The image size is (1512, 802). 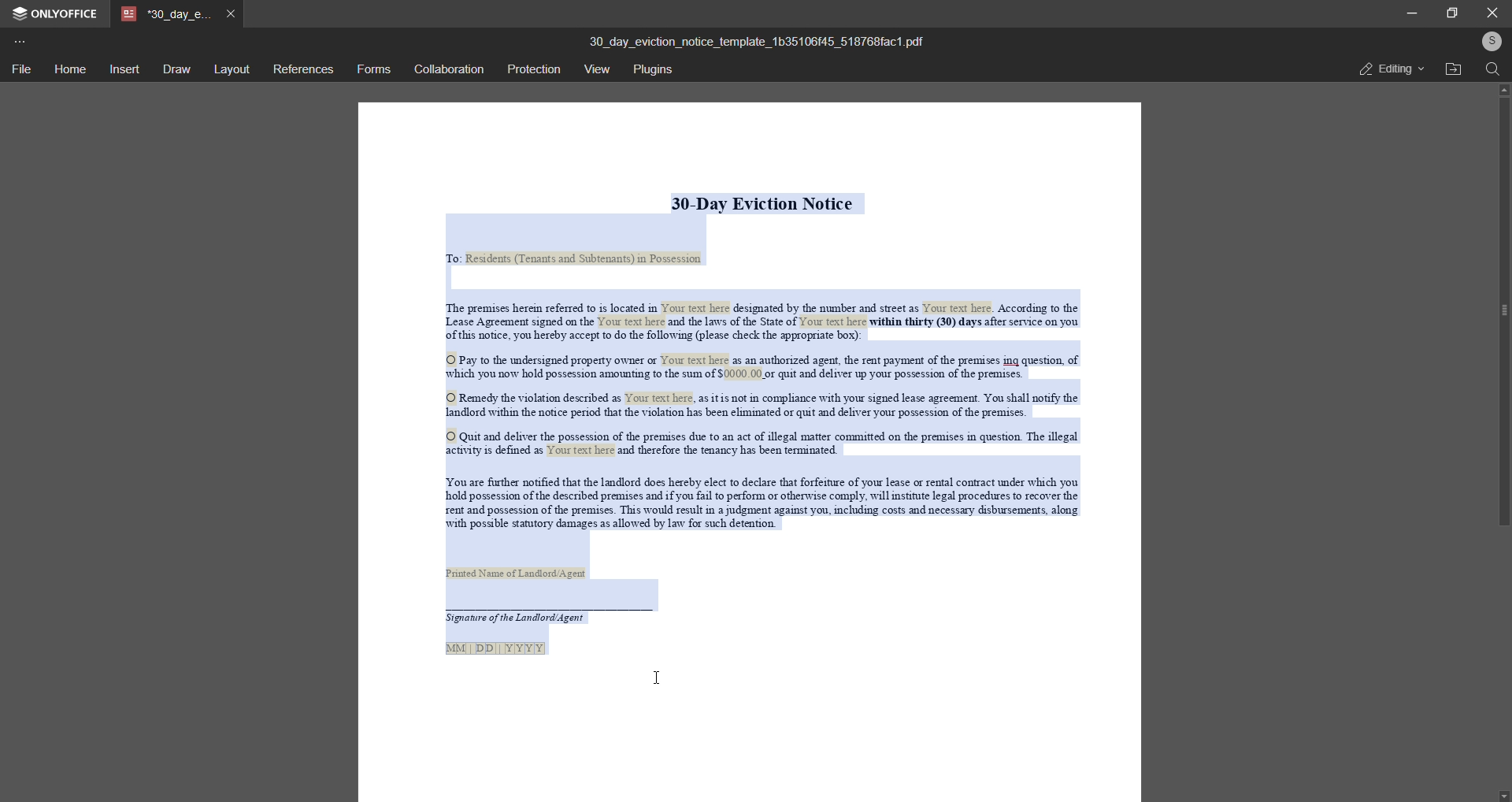 I want to click on protection, so click(x=533, y=68).